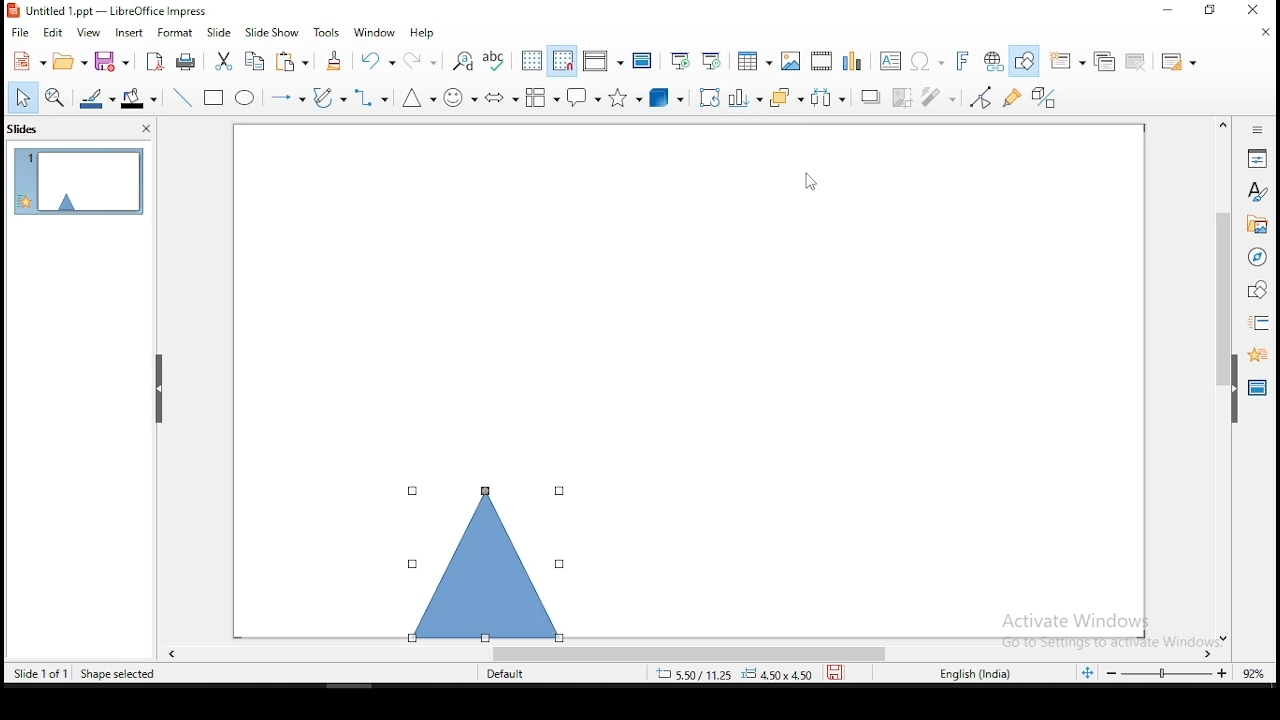  I want to click on Shape selected, so click(116, 674).